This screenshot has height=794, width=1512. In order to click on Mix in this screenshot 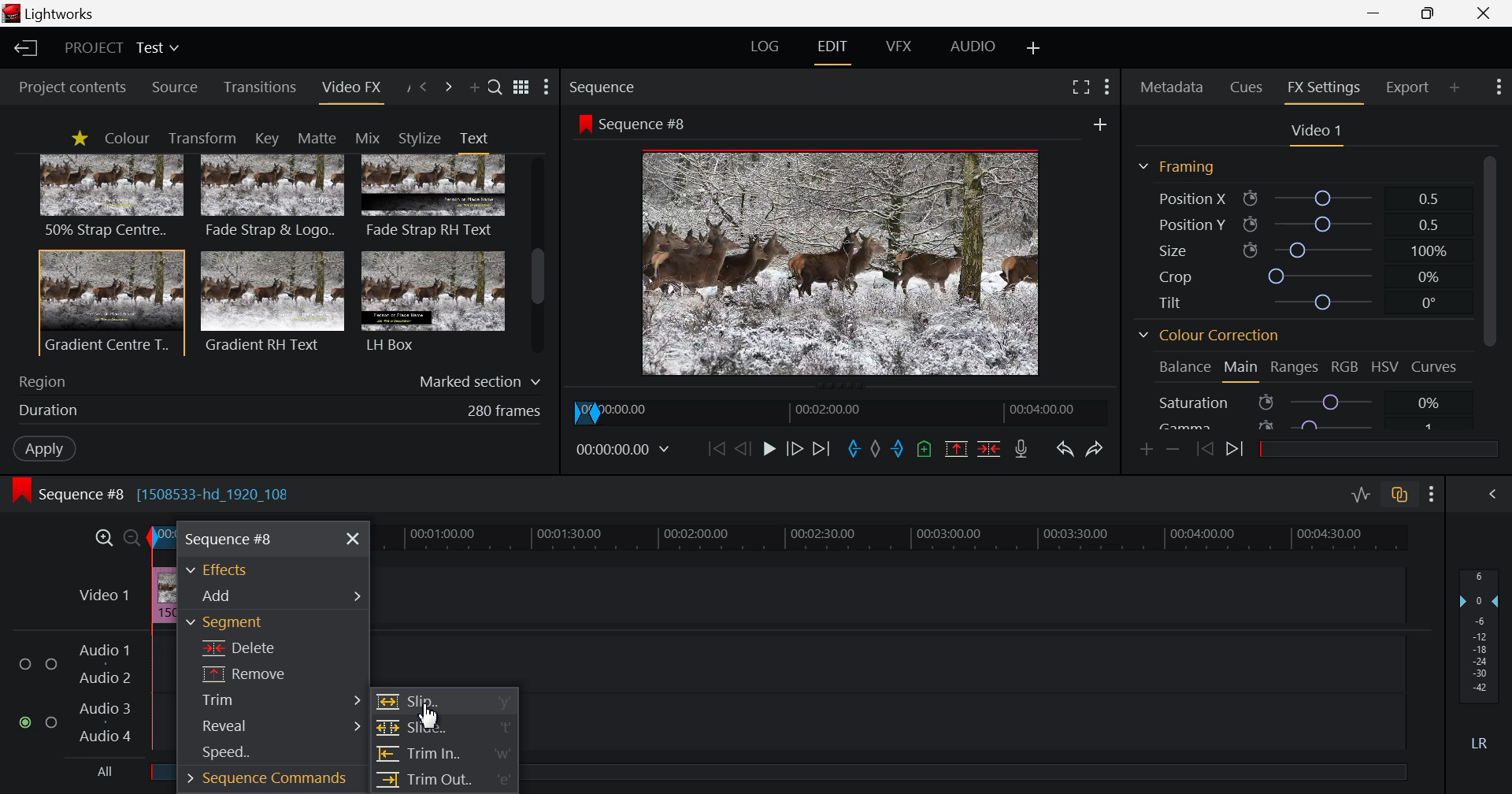, I will do `click(372, 137)`.